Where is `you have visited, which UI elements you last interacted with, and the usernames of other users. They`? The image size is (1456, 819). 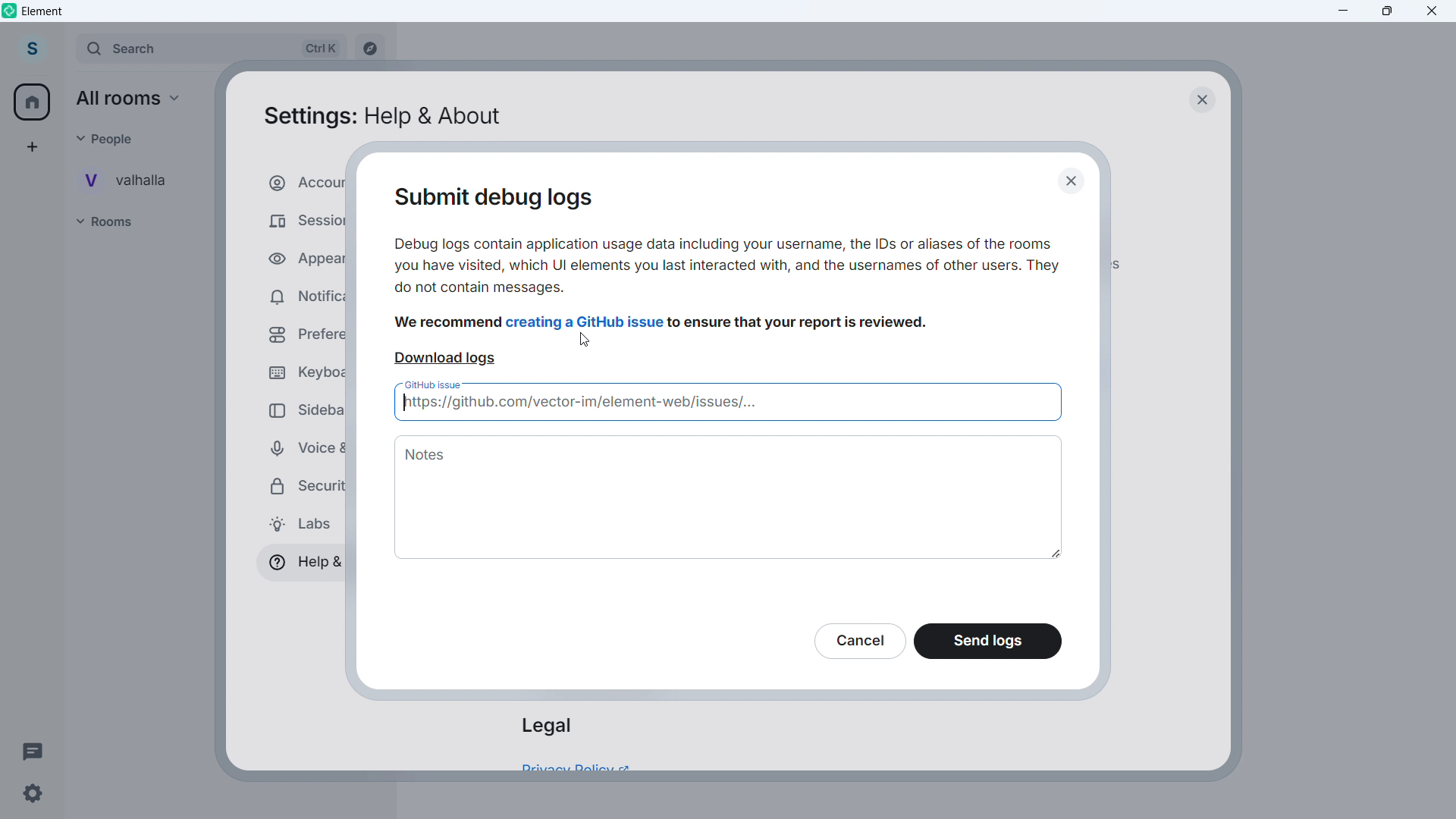 you have visited, which UI elements you last interacted with, and the usernames of other users. They is located at coordinates (726, 268).